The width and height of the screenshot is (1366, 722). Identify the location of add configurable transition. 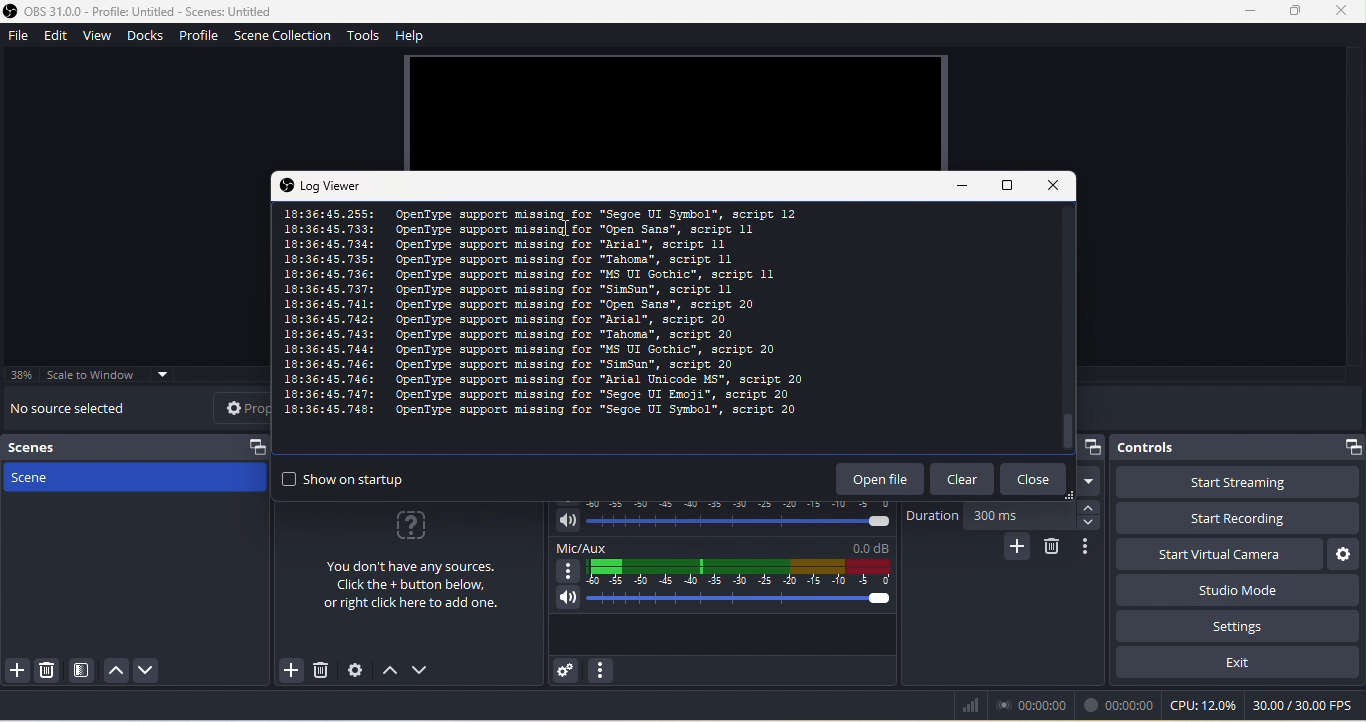
(1016, 548).